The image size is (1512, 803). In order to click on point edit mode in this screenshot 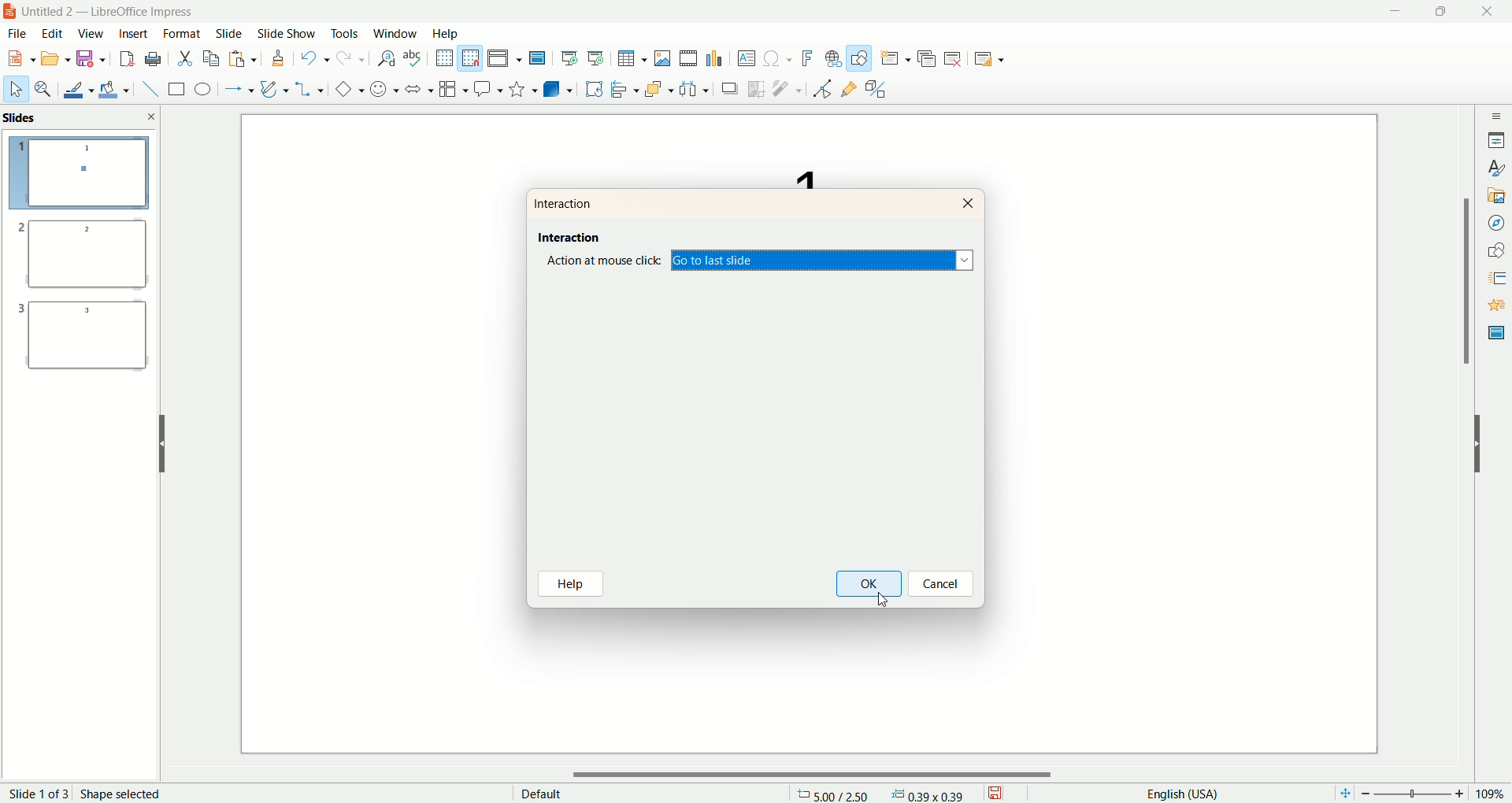, I will do `click(821, 89)`.